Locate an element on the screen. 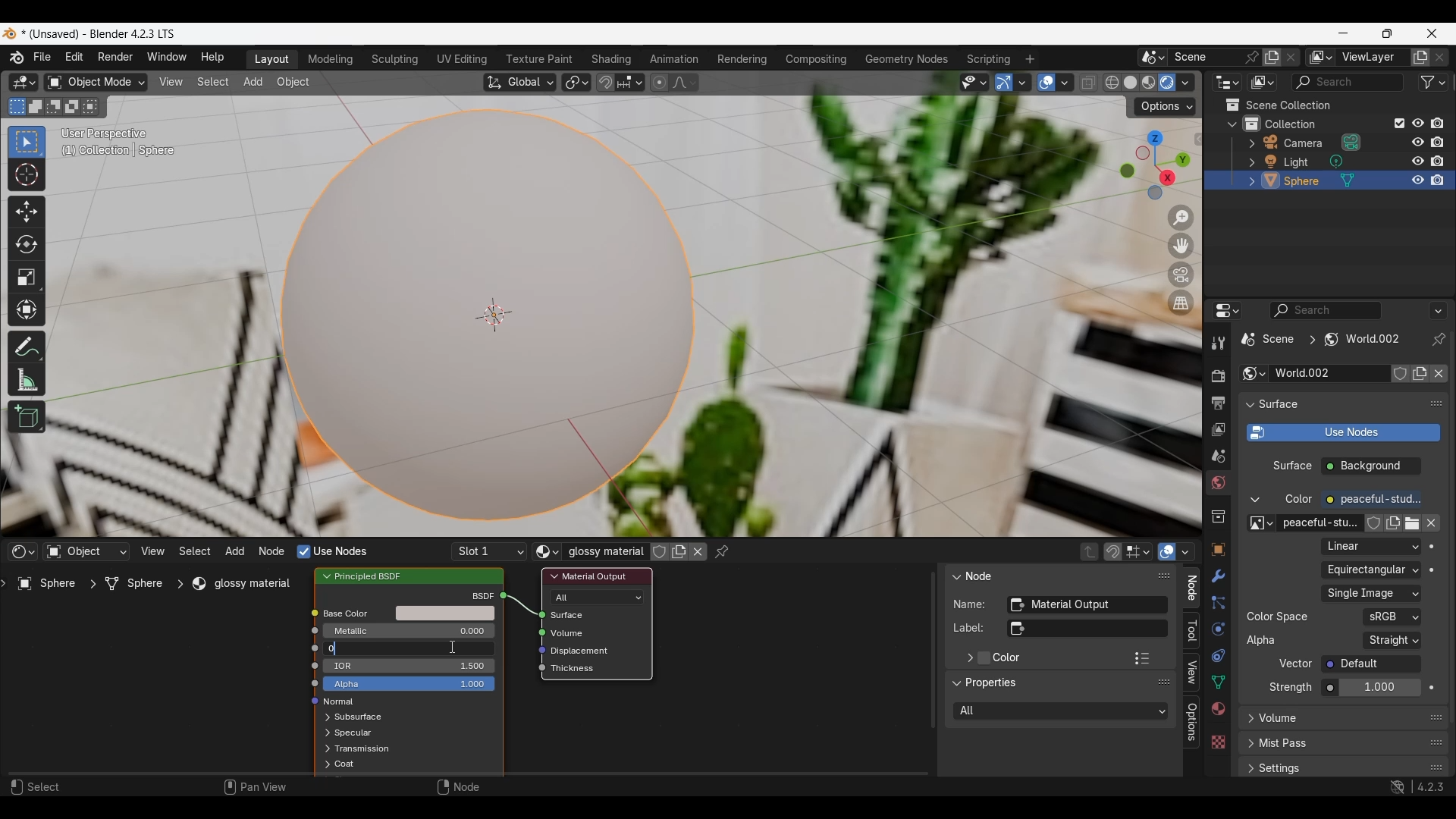  Float mist pass is located at coordinates (1437, 742).